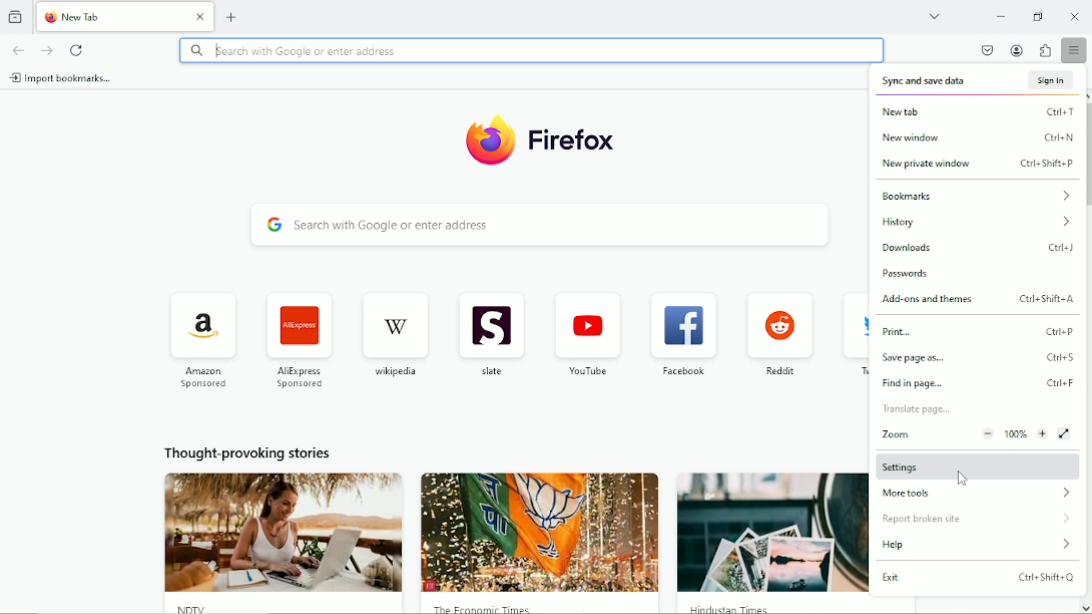 The image size is (1092, 614). What do you see at coordinates (975, 248) in the screenshot?
I see `downloads` at bounding box center [975, 248].